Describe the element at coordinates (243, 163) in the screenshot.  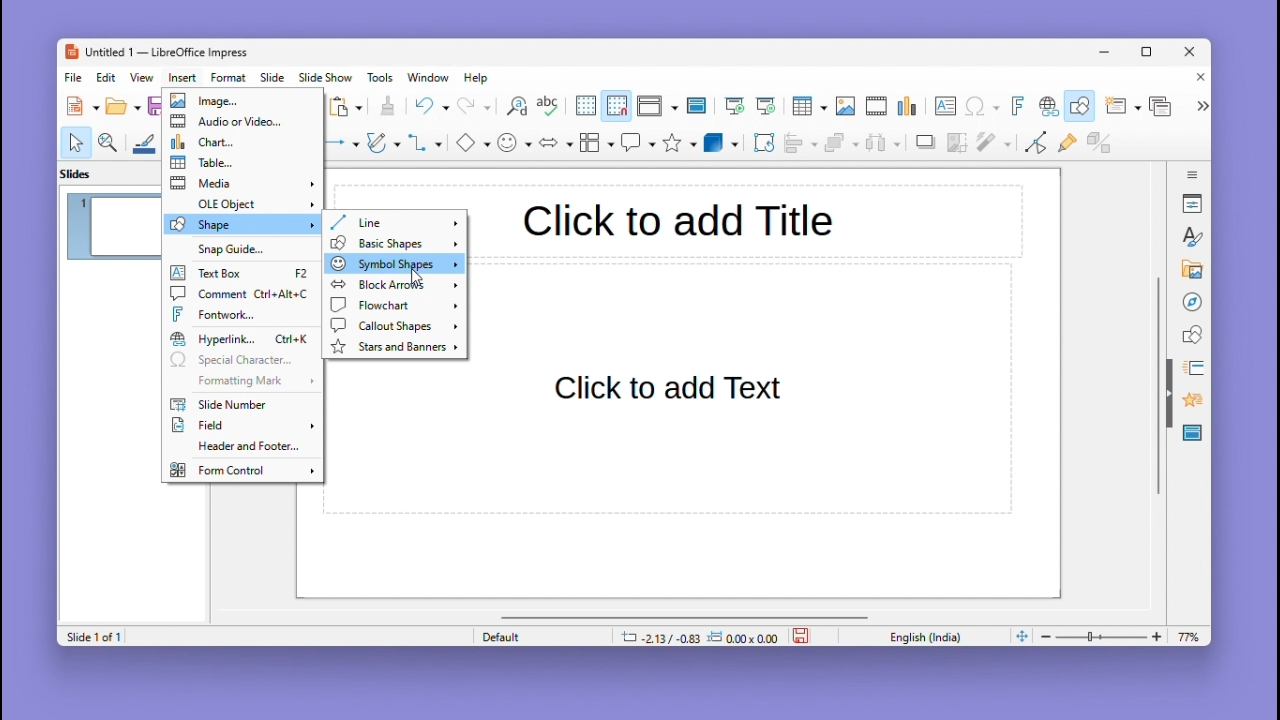
I see `Table` at that location.